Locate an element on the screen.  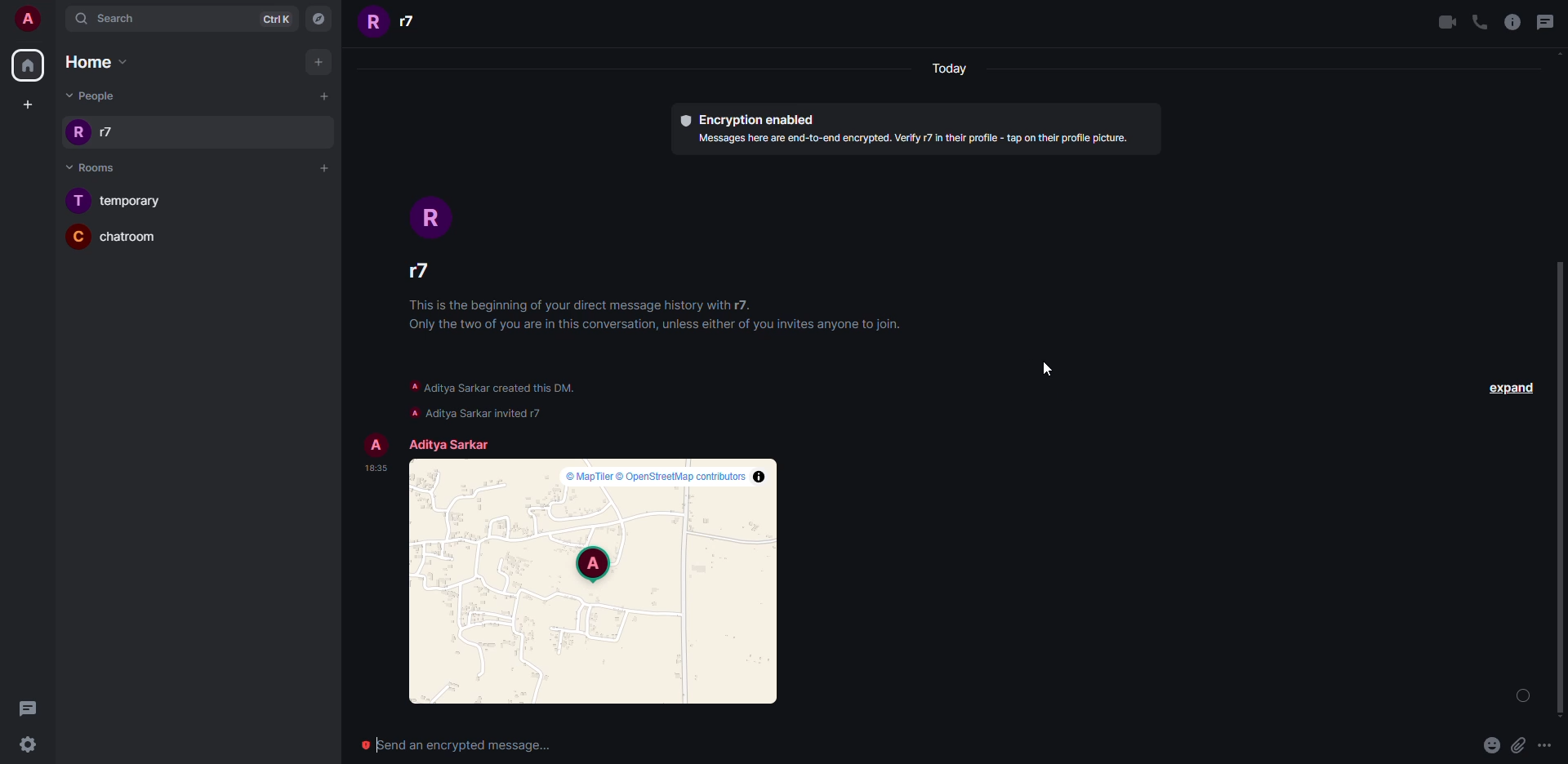
profile is located at coordinates (376, 446).